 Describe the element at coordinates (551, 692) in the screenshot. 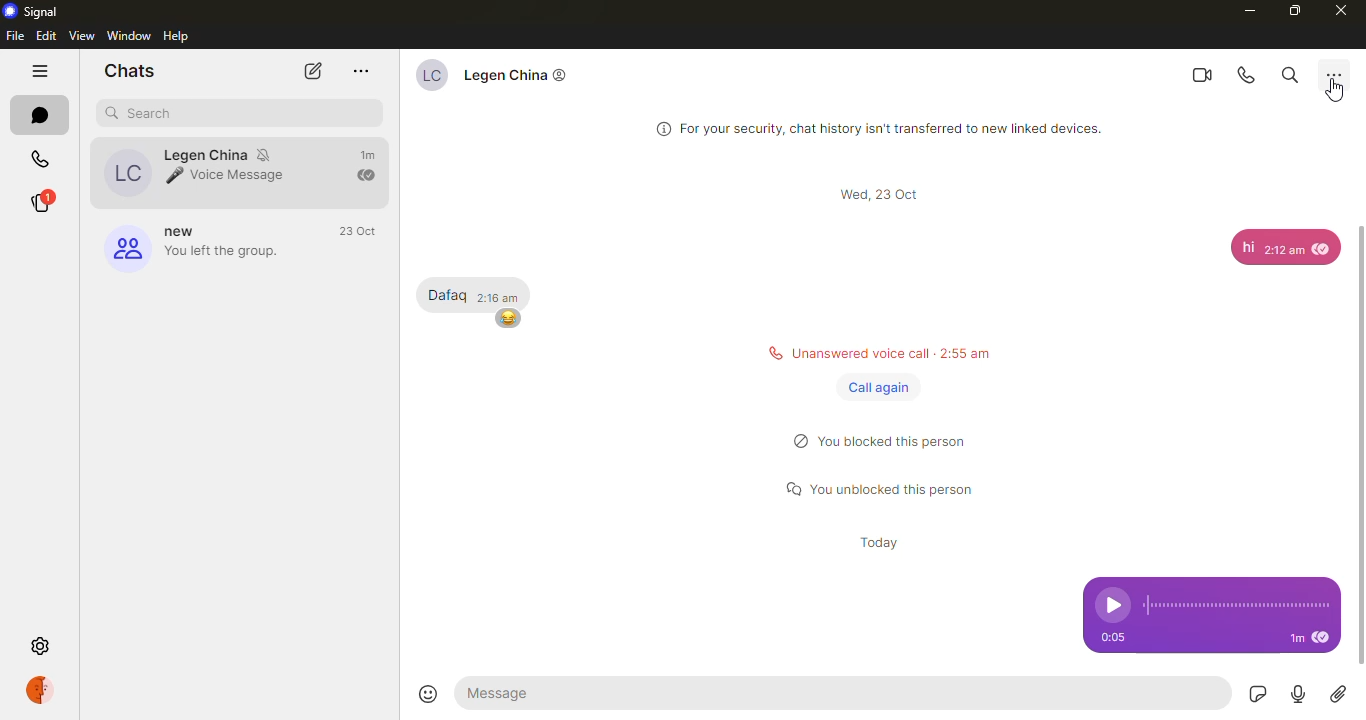

I see `message` at that location.